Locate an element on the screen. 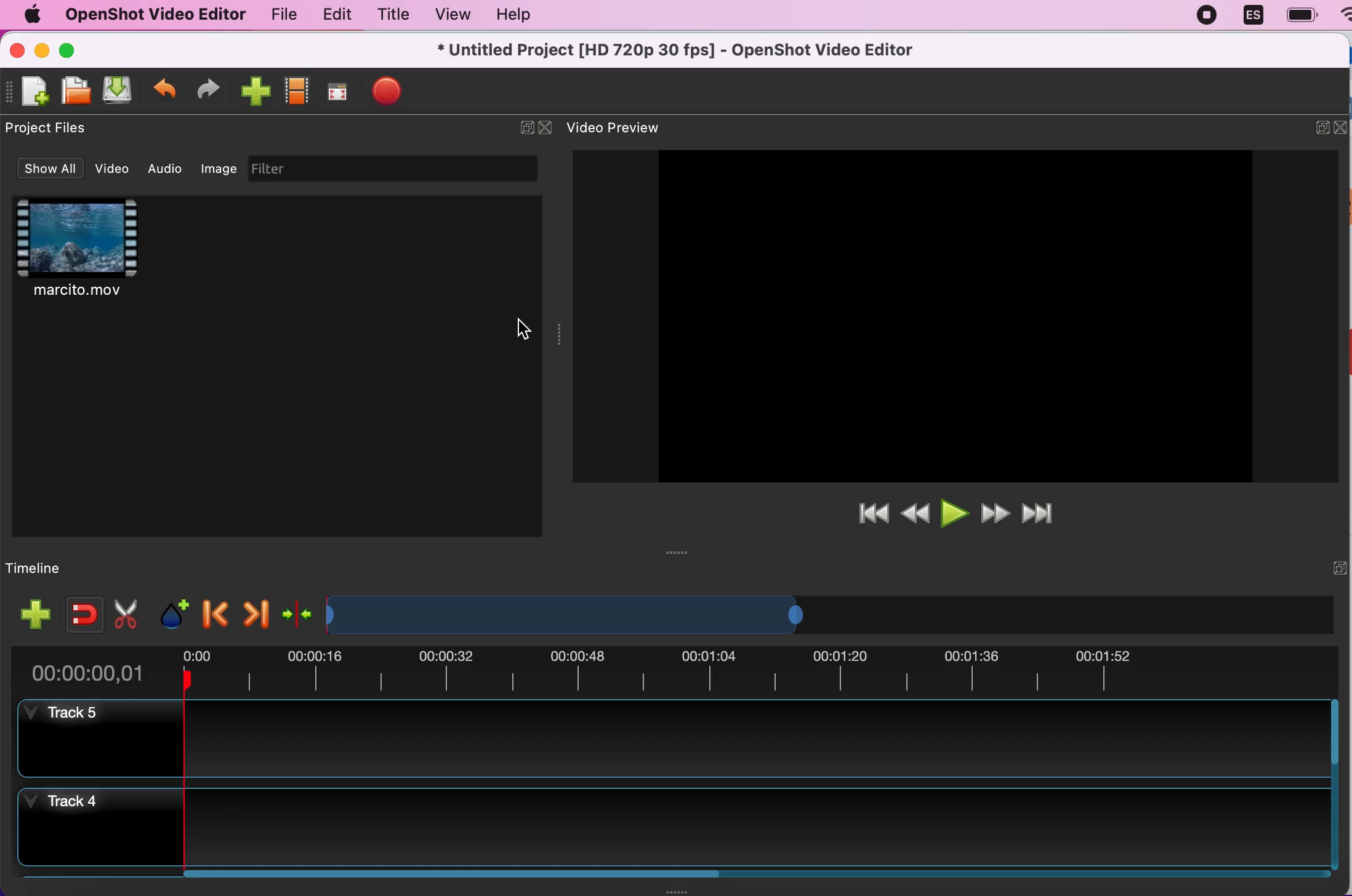  image is located at coordinates (217, 169).